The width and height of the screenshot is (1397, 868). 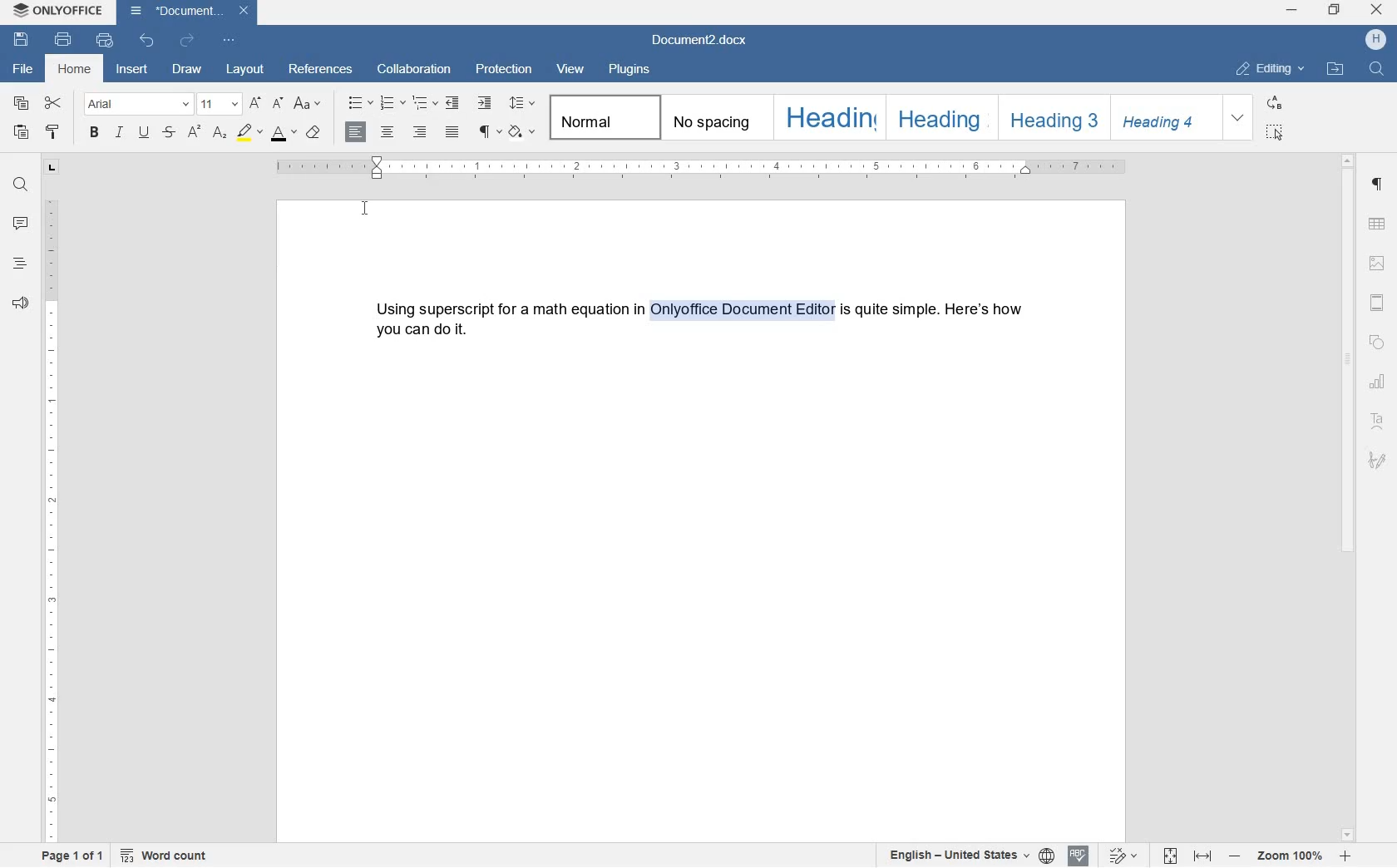 What do you see at coordinates (1118, 856) in the screenshot?
I see `track changes` at bounding box center [1118, 856].